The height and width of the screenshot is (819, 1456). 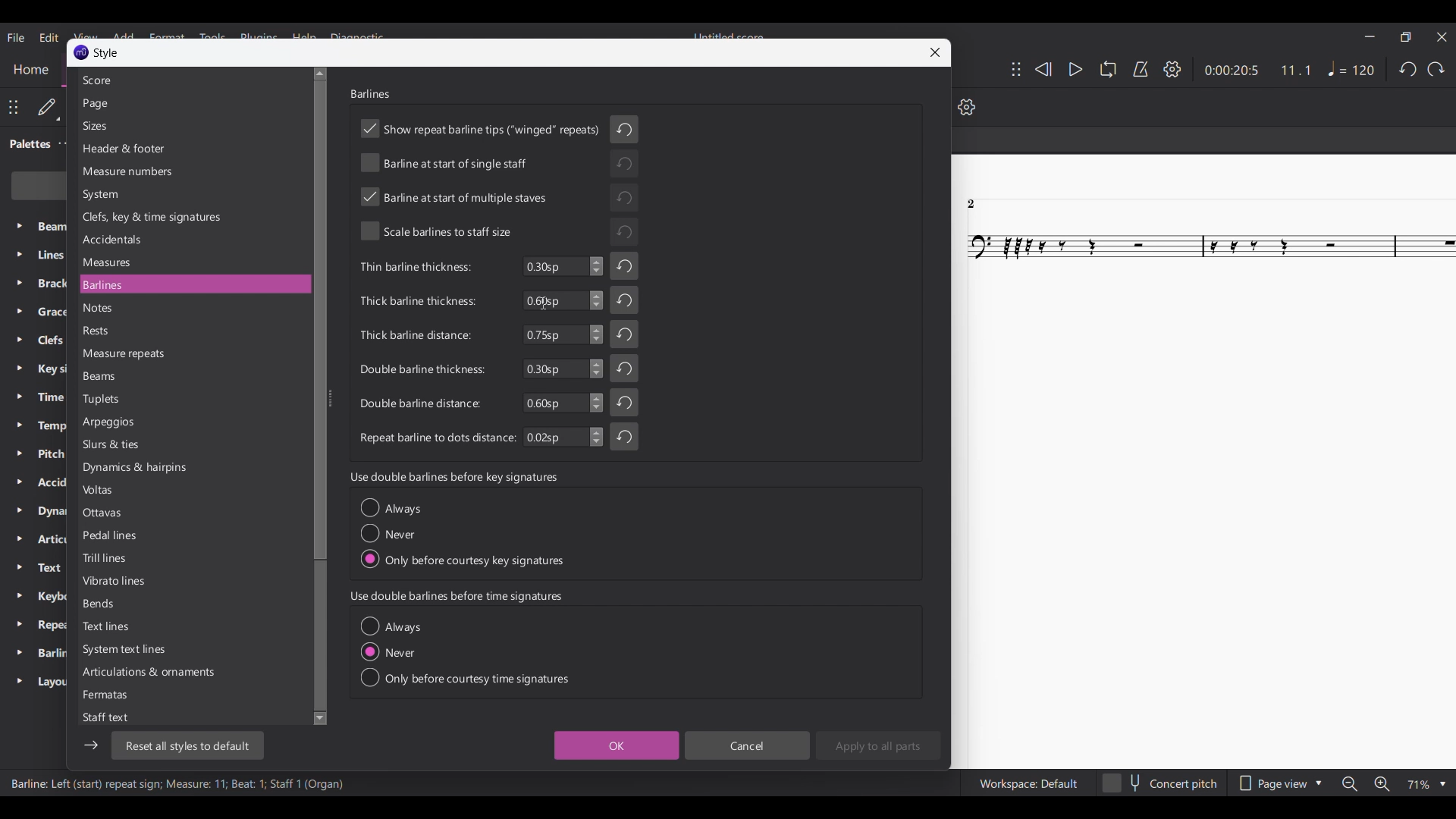 I want to click on Toggle for concert pitch, so click(x=1159, y=783).